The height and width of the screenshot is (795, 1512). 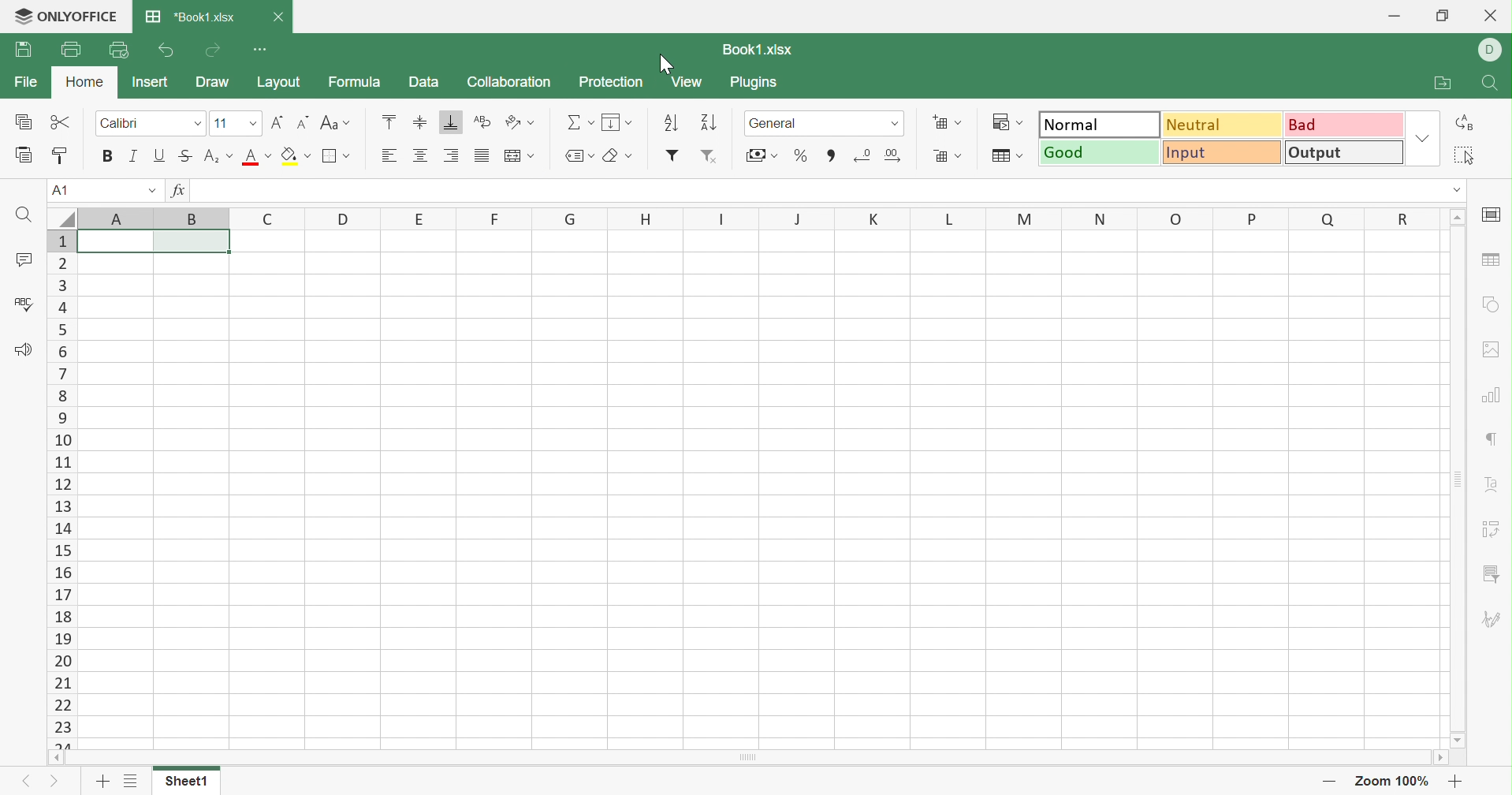 What do you see at coordinates (59, 188) in the screenshot?
I see `A1` at bounding box center [59, 188].